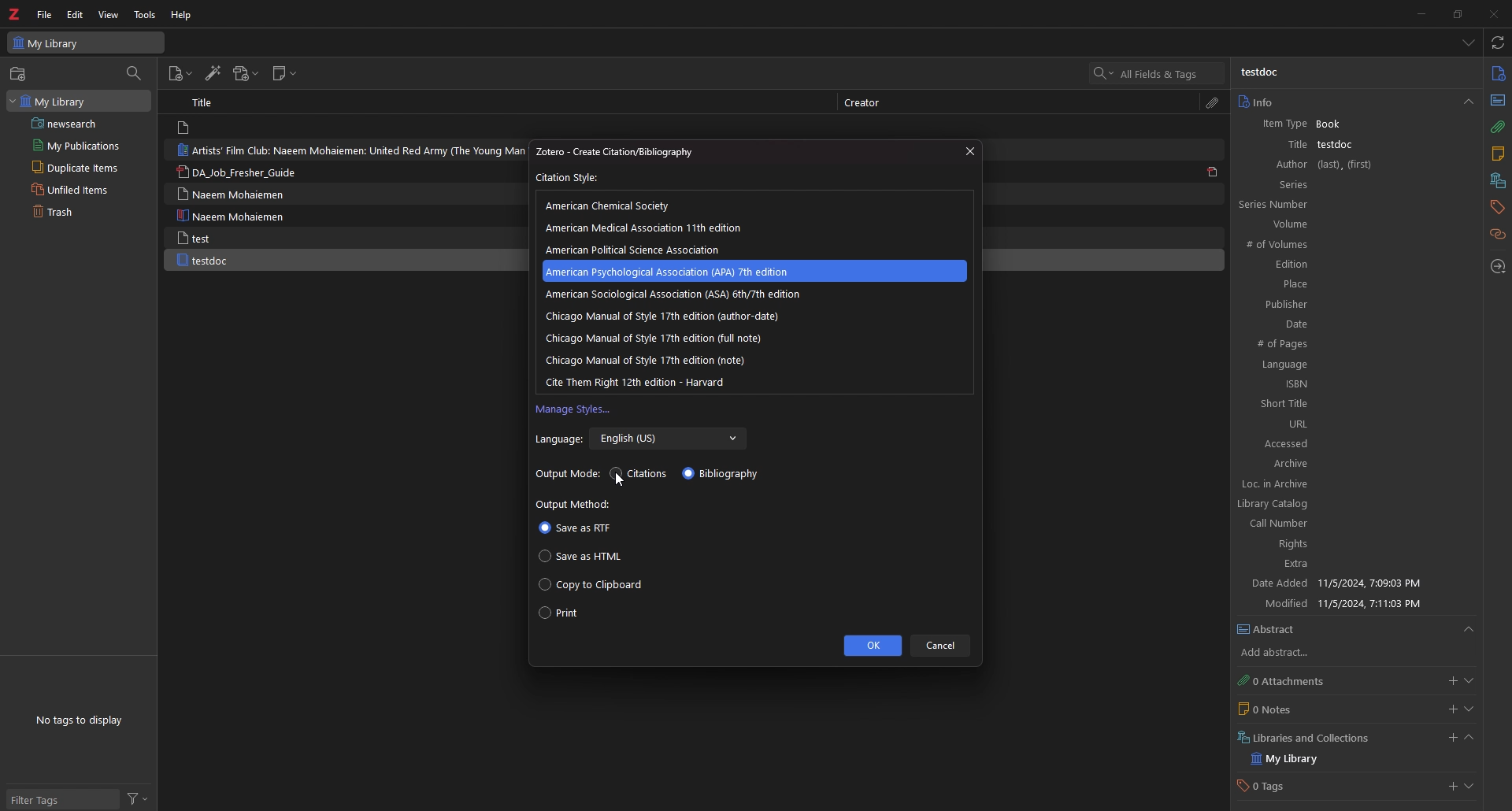 Image resolution: width=1512 pixels, height=811 pixels. I want to click on Series, so click(1353, 184).